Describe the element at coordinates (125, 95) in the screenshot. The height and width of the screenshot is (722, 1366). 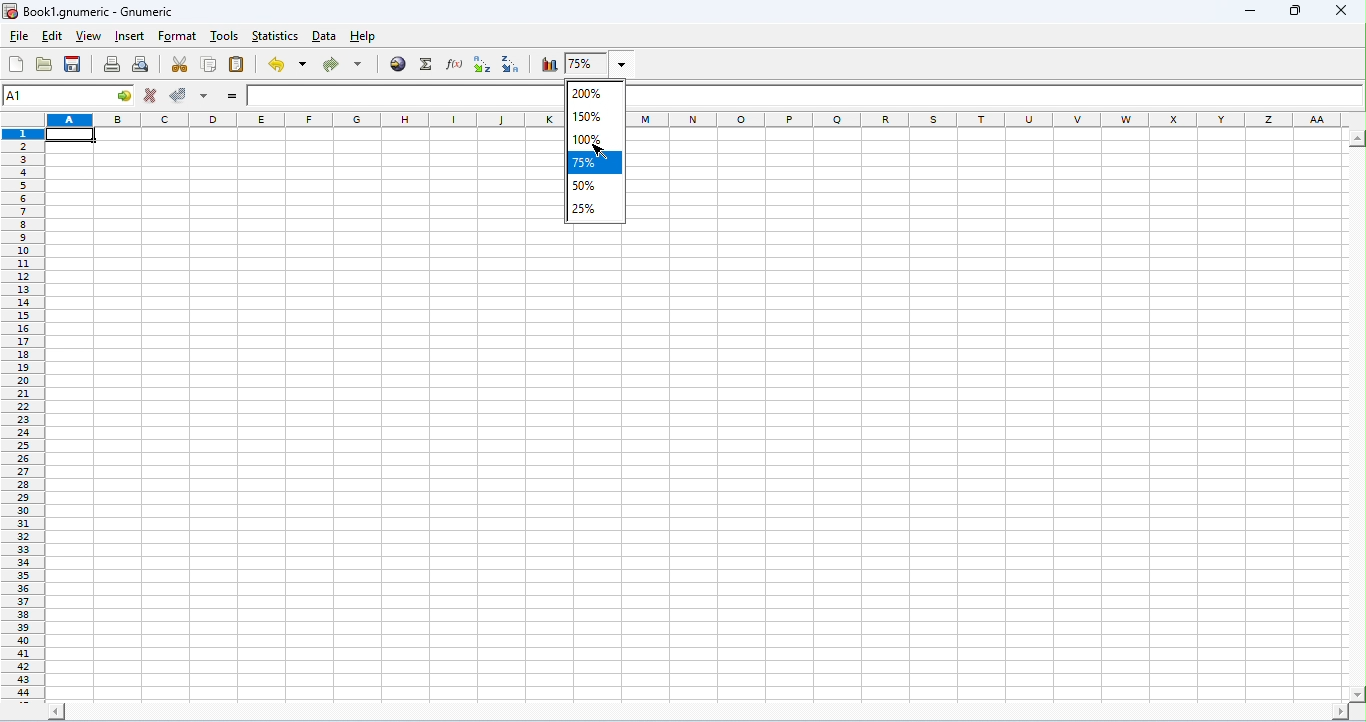
I see `cell options` at that location.